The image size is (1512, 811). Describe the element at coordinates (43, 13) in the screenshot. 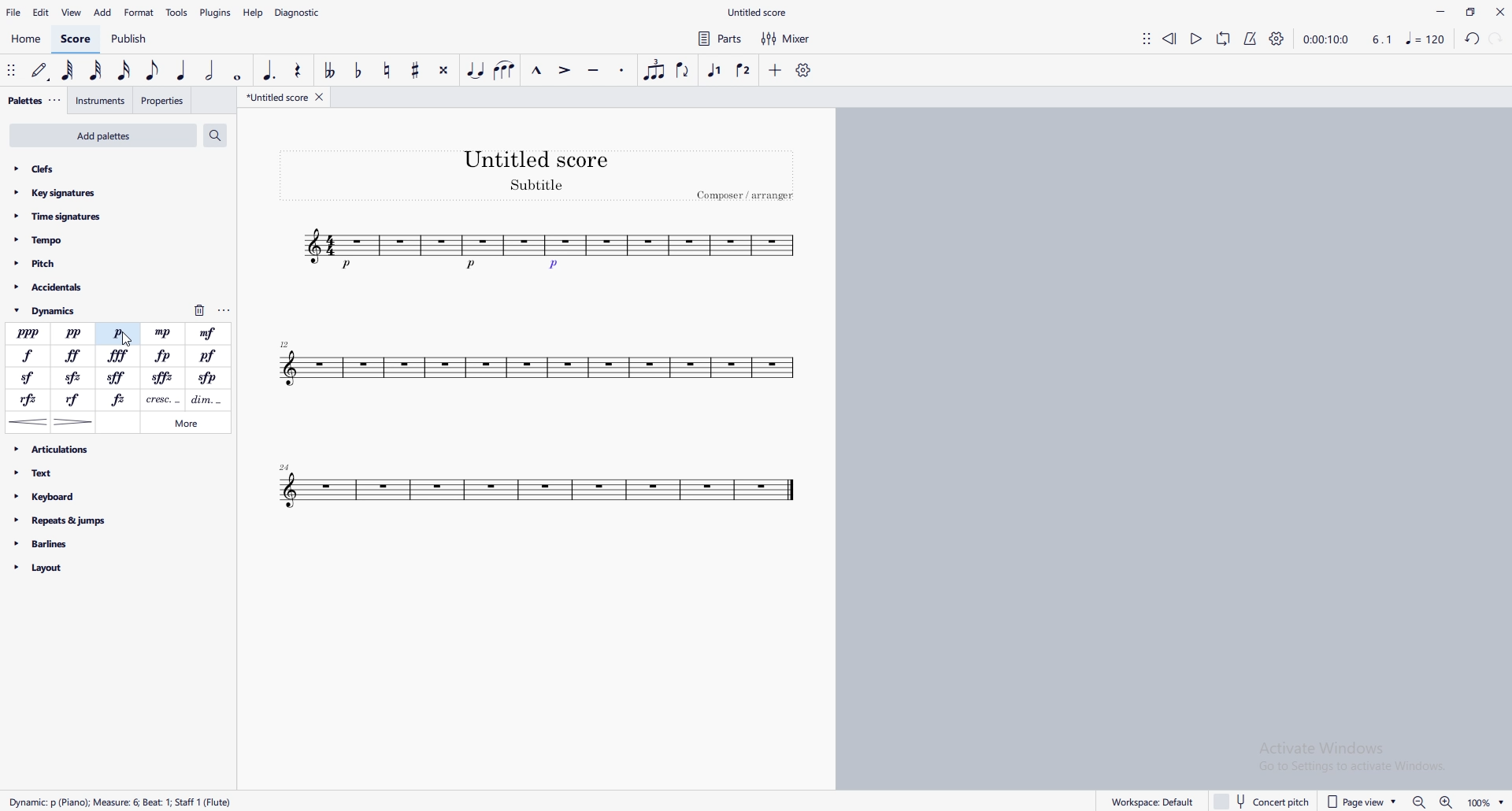

I see `edit` at that location.